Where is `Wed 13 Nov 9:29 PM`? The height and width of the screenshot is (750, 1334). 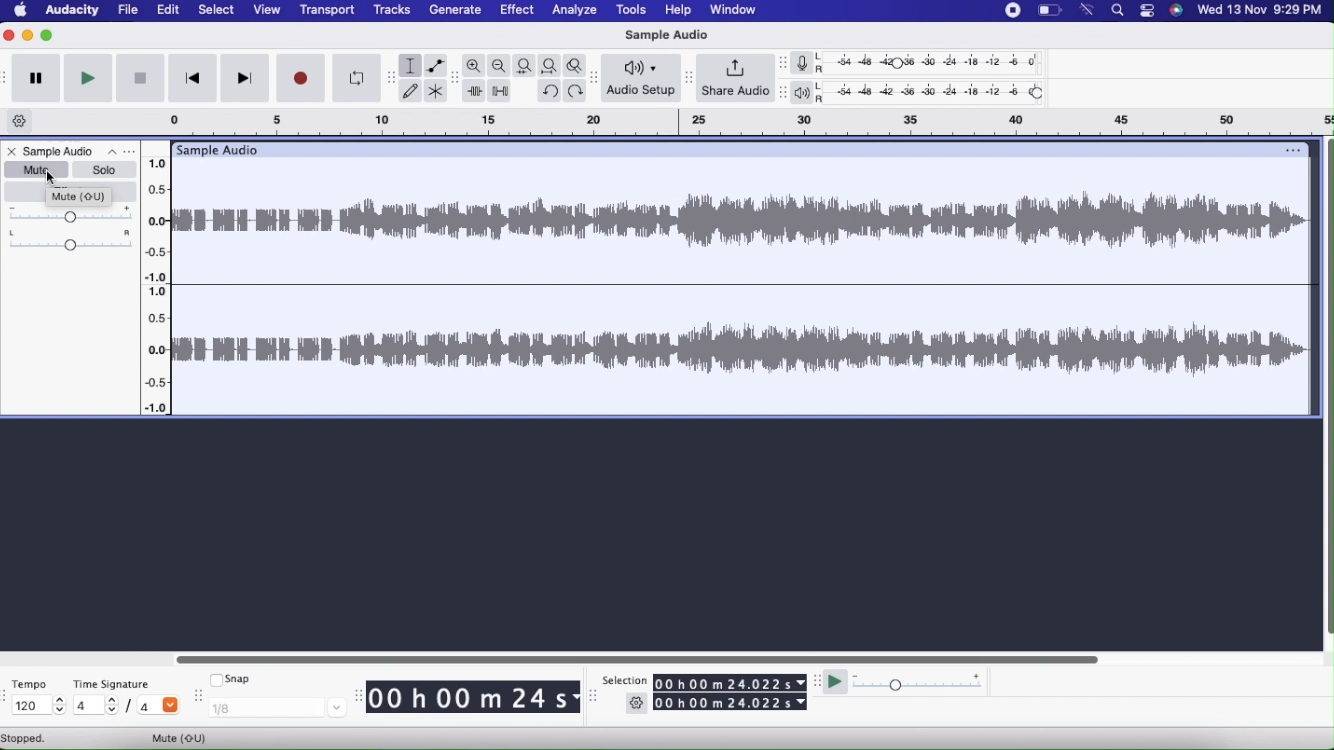 Wed 13 Nov 9:29 PM is located at coordinates (1258, 12).